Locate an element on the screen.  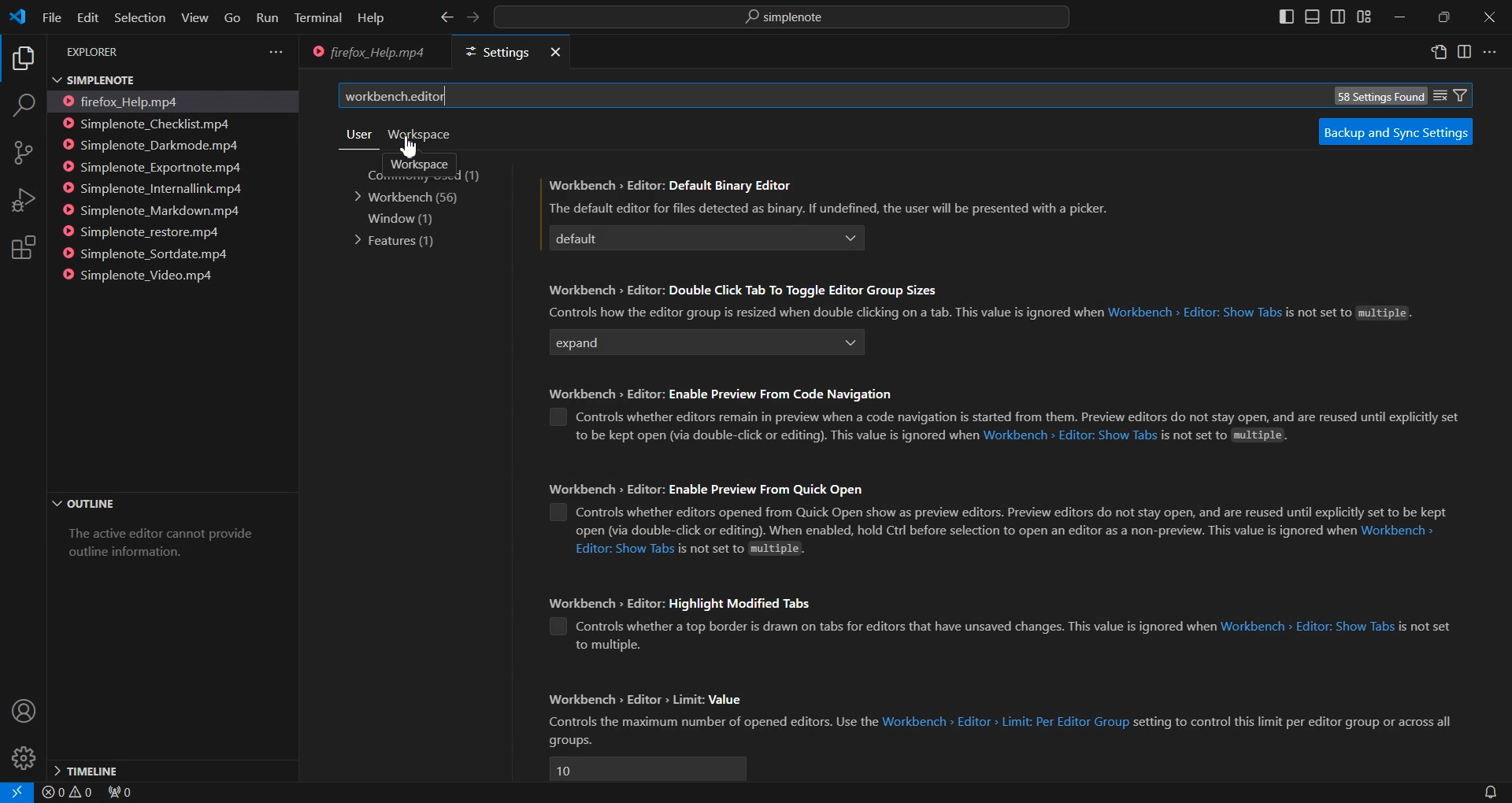
Controls wheather editors remain in preview when a code navigation is started from them Preview editors do not stay open. and are reused until explicithy set is located at coordinates (1027, 416).